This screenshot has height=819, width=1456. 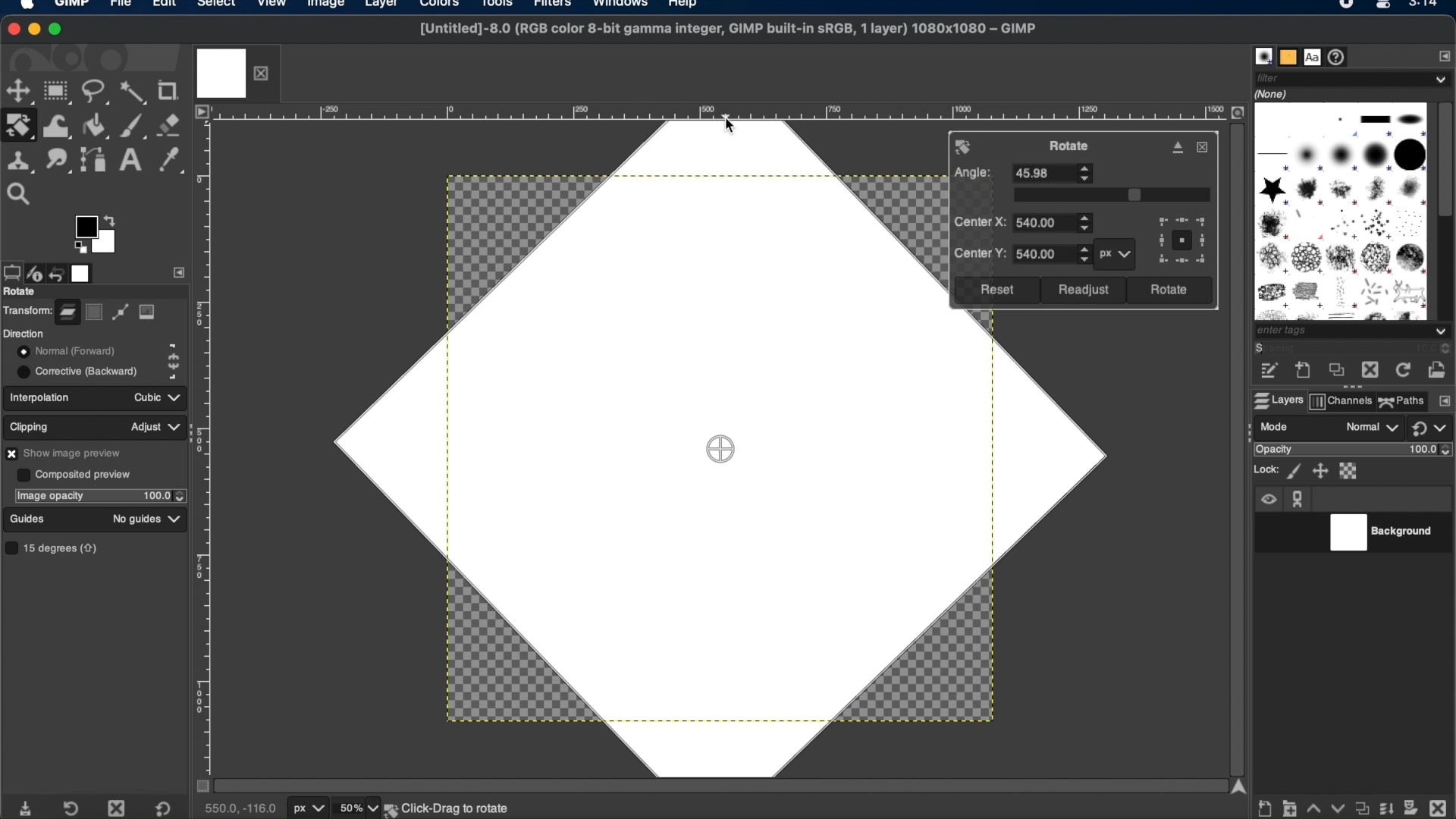 What do you see at coordinates (58, 92) in the screenshot?
I see `rectangle select tool` at bounding box center [58, 92].